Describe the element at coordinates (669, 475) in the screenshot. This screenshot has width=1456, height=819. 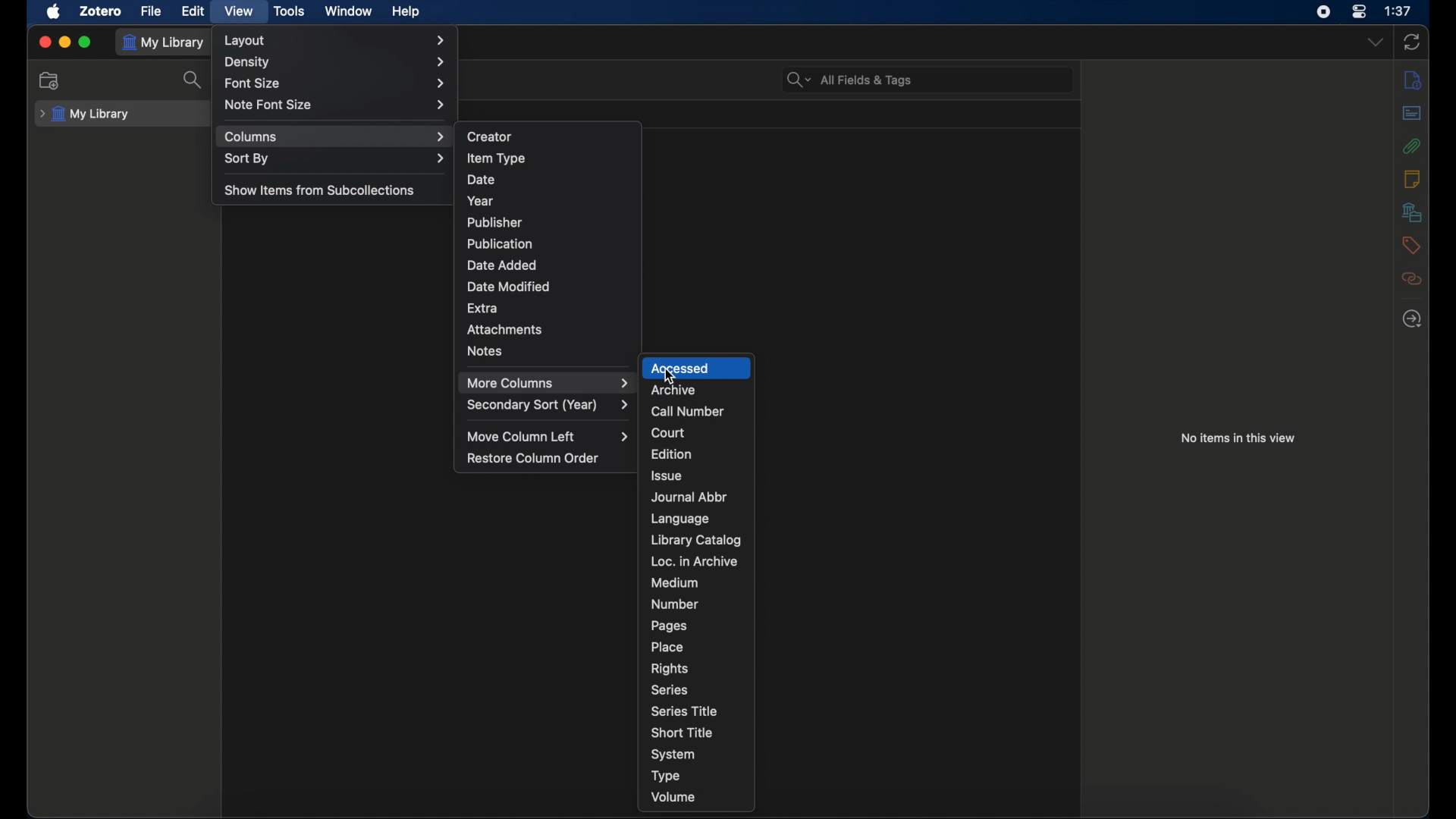
I see `issue` at that location.